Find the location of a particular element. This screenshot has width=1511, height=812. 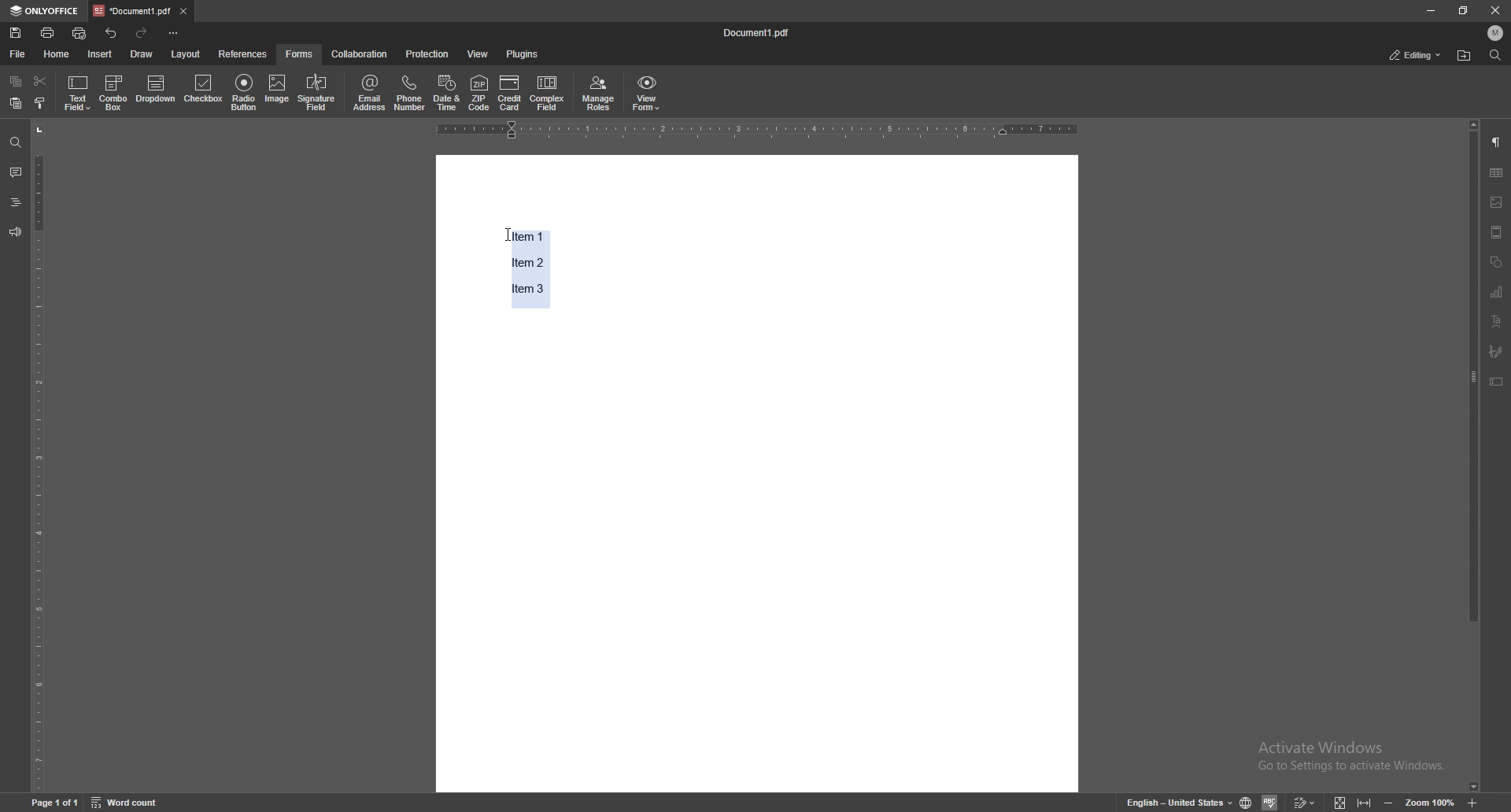

view form is located at coordinates (648, 94).